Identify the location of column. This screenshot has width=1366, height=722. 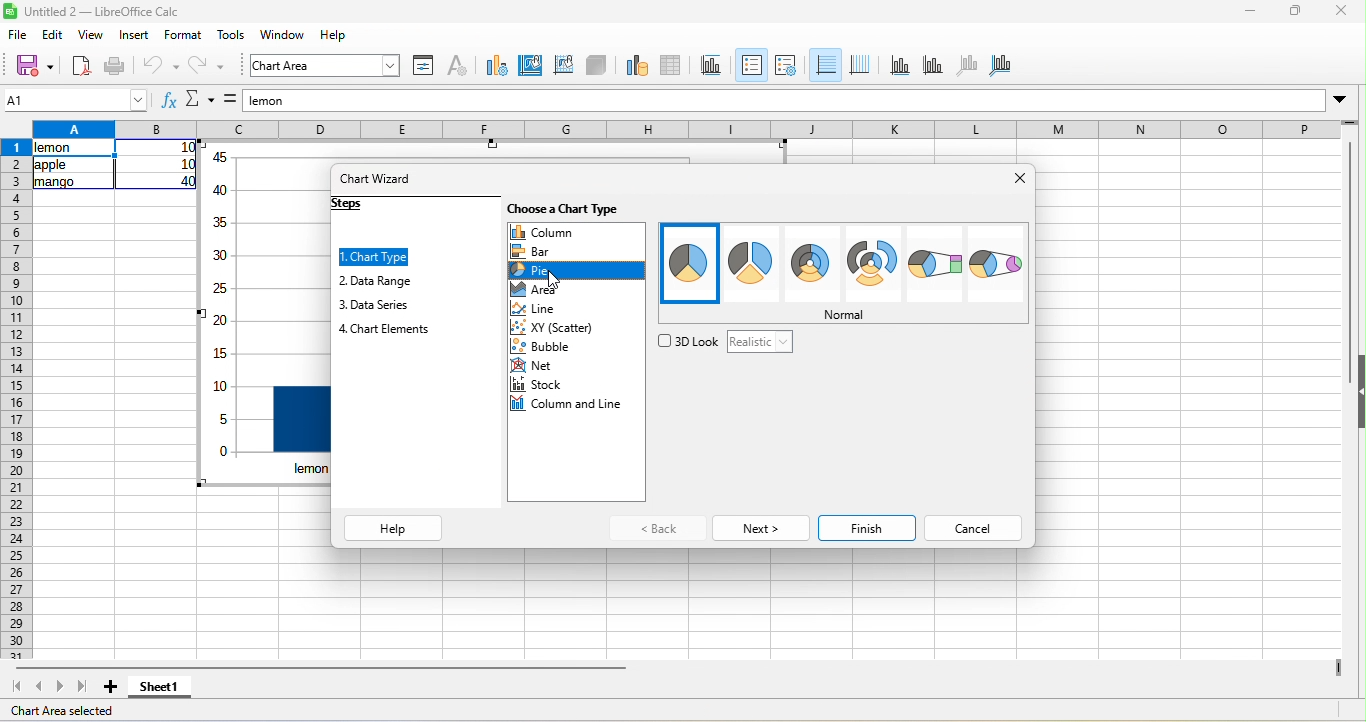
(576, 232).